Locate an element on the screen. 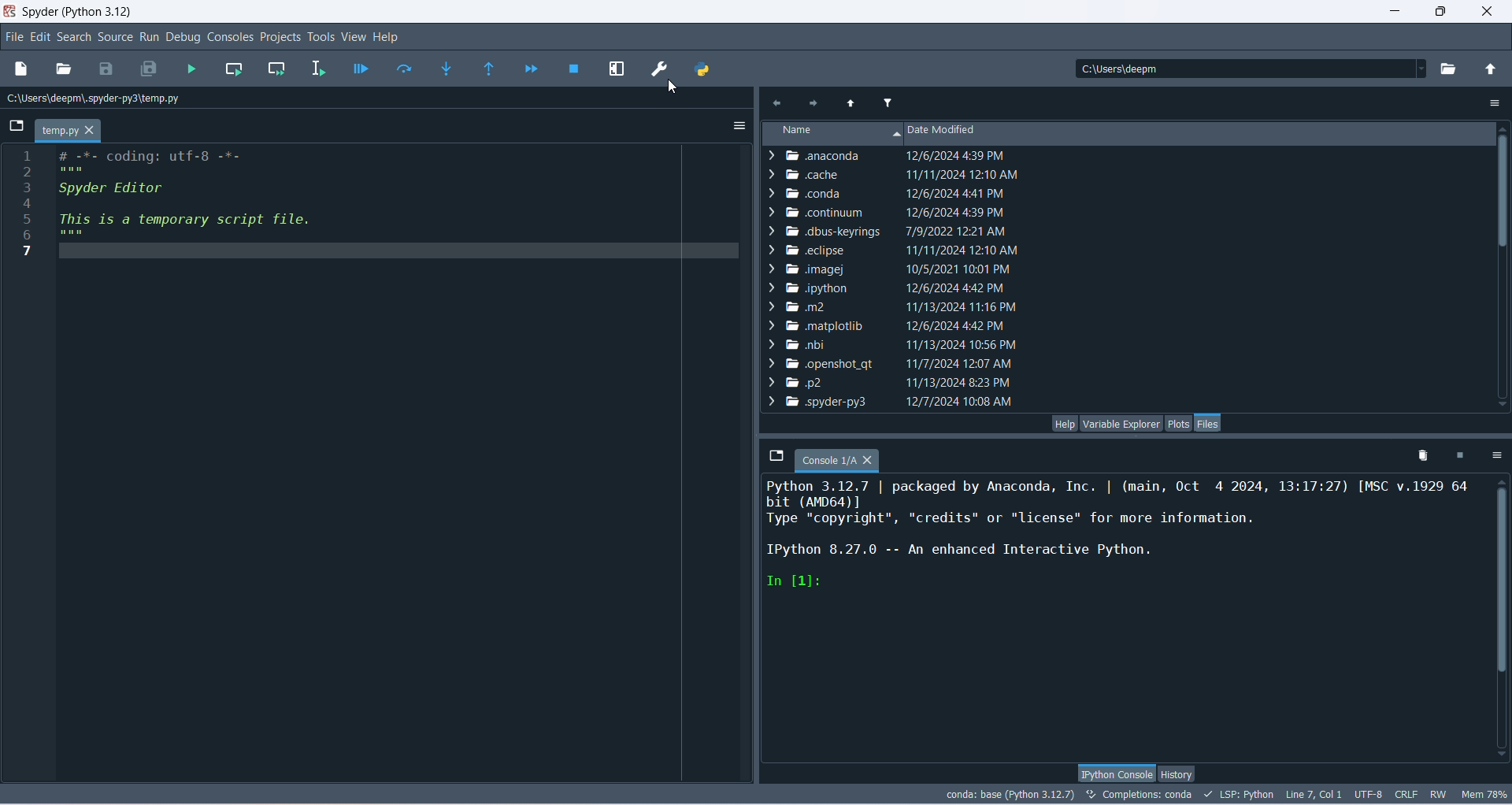 Image resolution: width=1512 pixels, height=805 pixels. save all files is located at coordinates (150, 69).